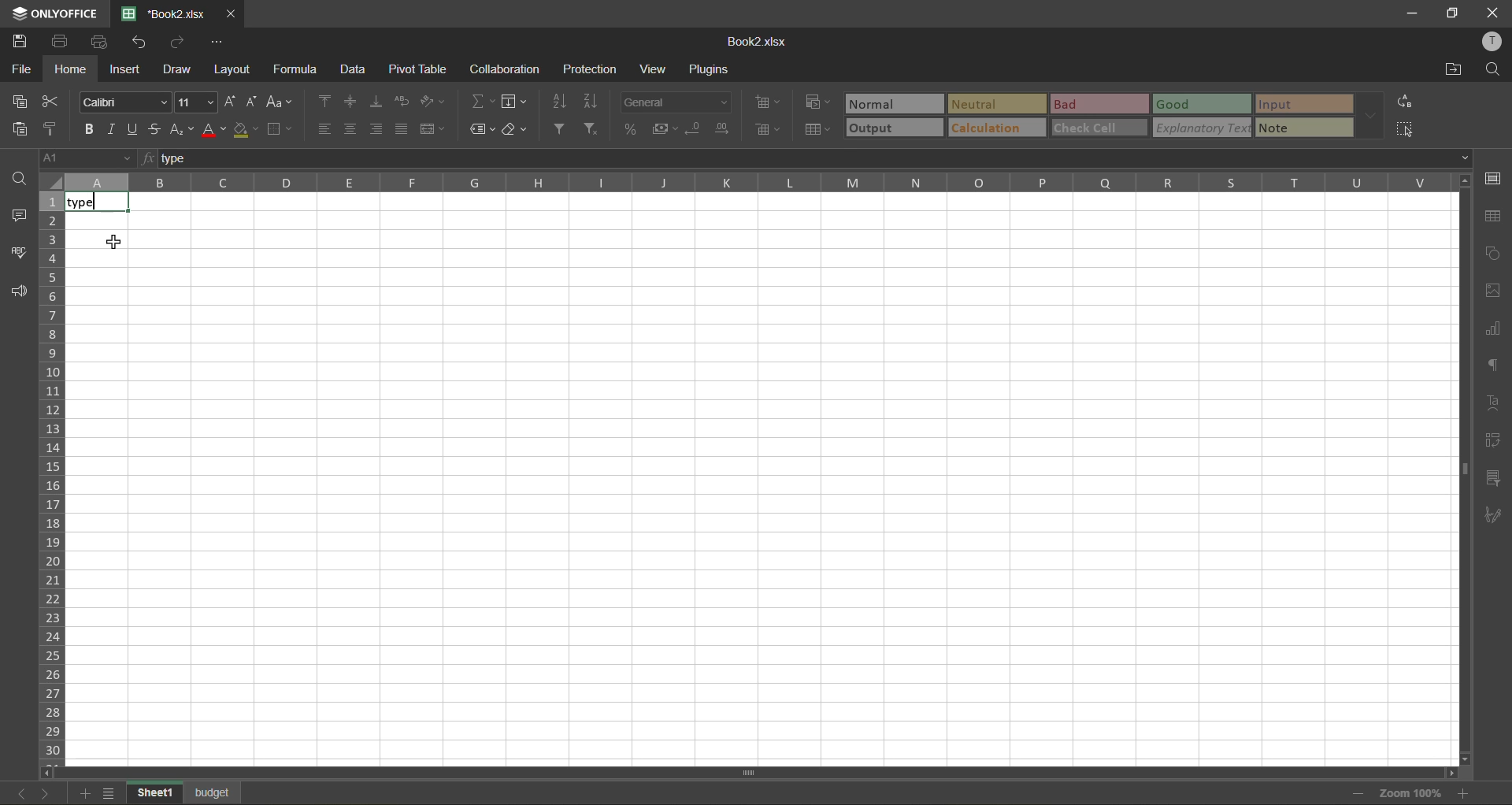  Describe the element at coordinates (594, 101) in the screenshot. I see `sort descending` at that location.